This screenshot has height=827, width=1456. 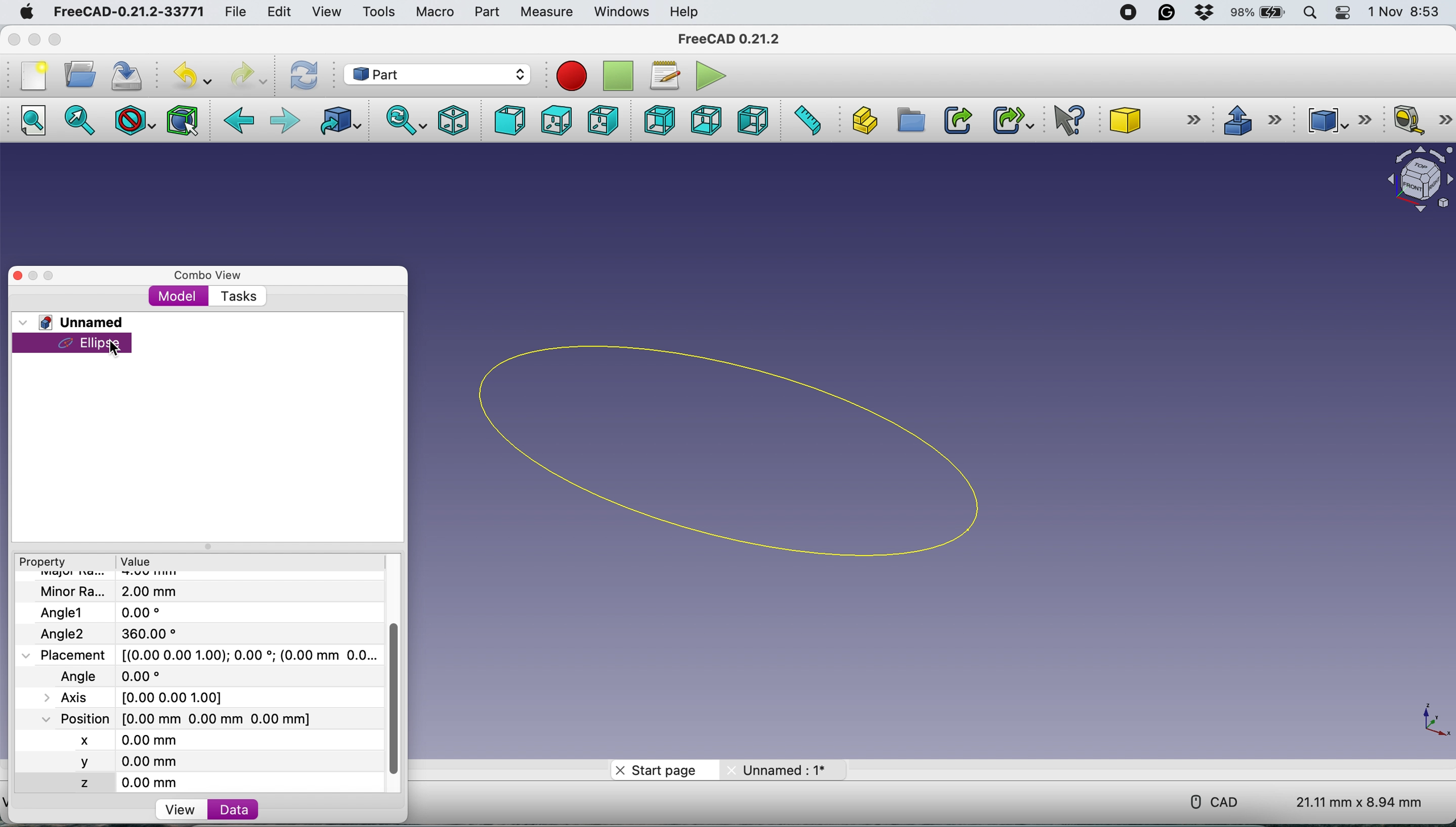 I want to click on dropbox, so click(x=1205, y=13).